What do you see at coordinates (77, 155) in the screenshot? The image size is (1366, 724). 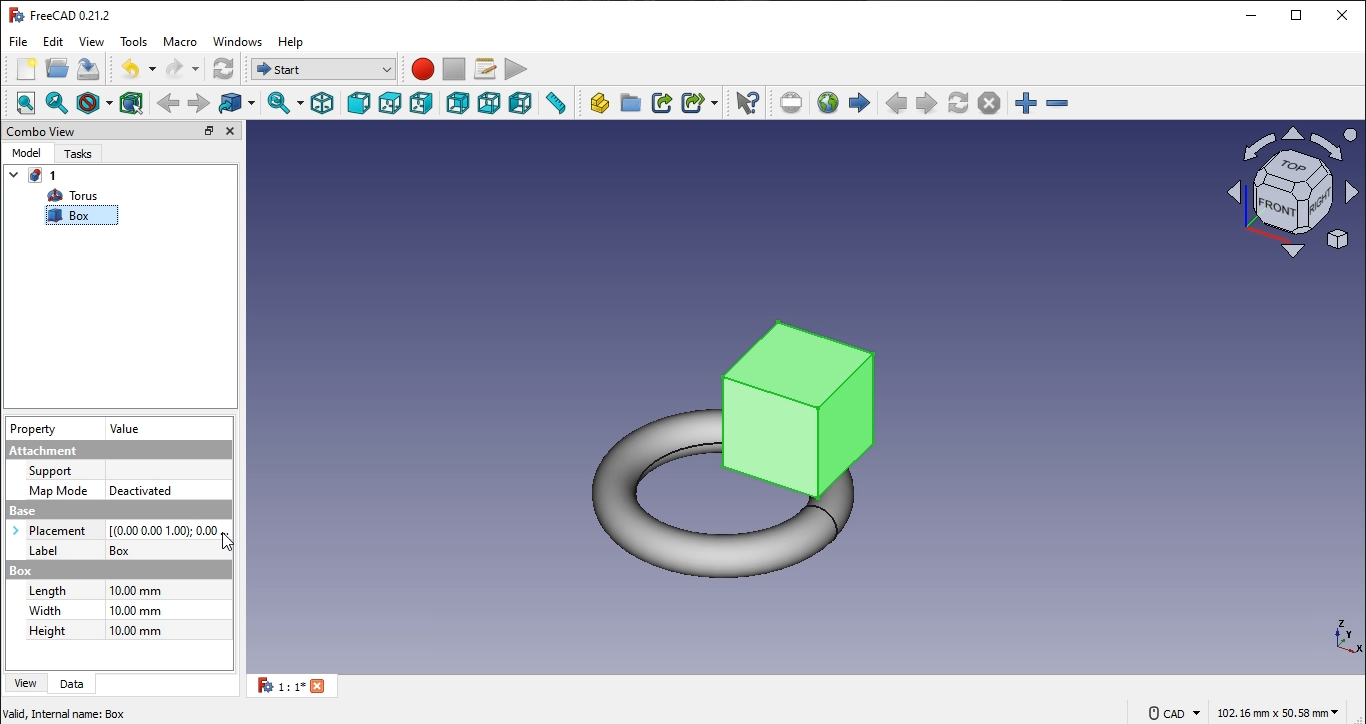 I see `tasks` at bounding box center [77, 155].